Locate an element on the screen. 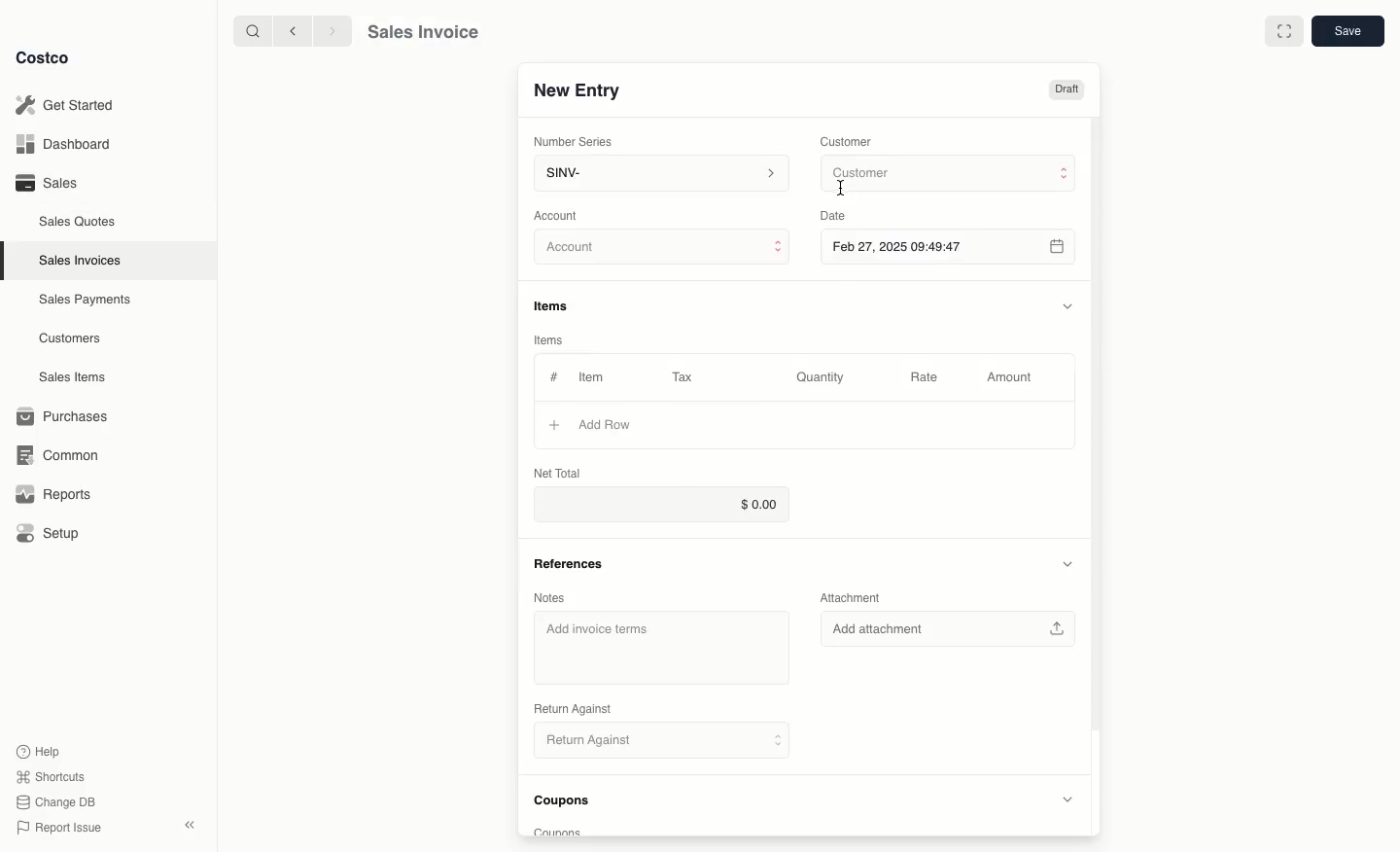  Customer is located at coordinates (951, 174).